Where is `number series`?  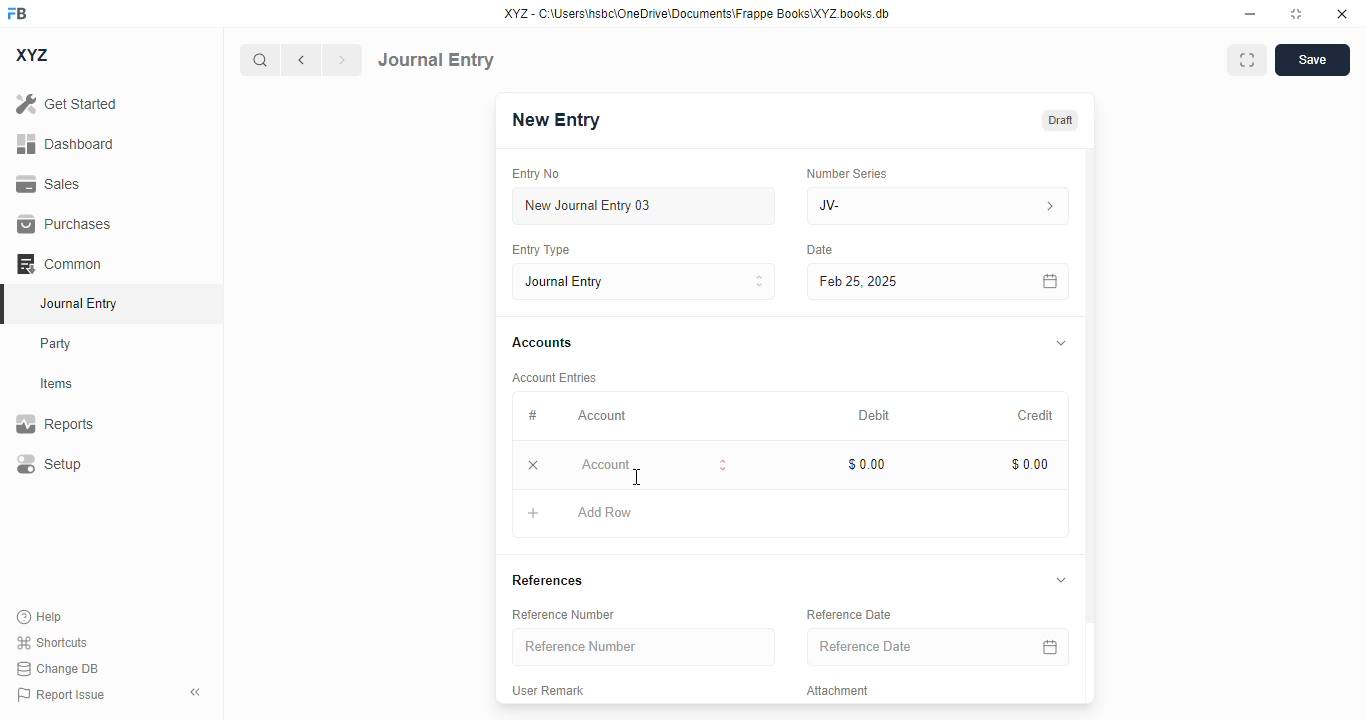 number series is located at coordinates (846, 173).